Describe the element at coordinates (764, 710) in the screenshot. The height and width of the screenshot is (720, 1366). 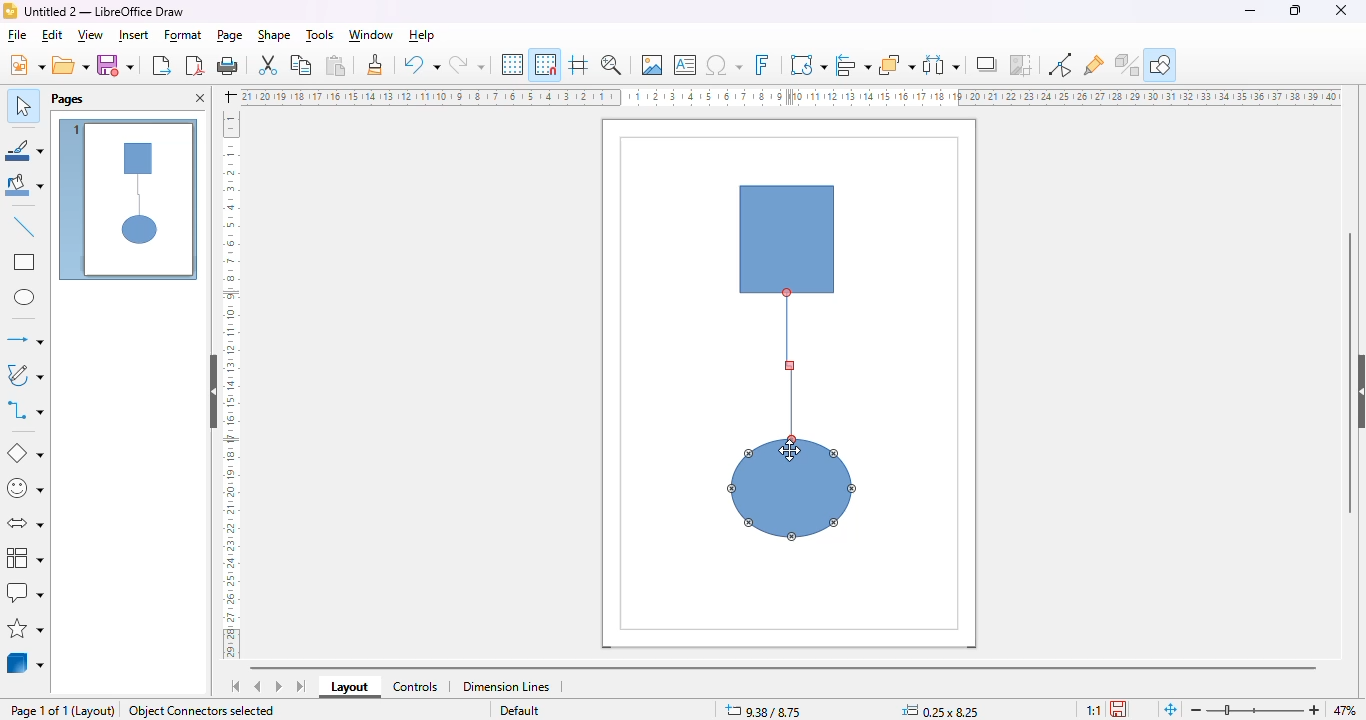
I see `9.38/8.75` at that location.